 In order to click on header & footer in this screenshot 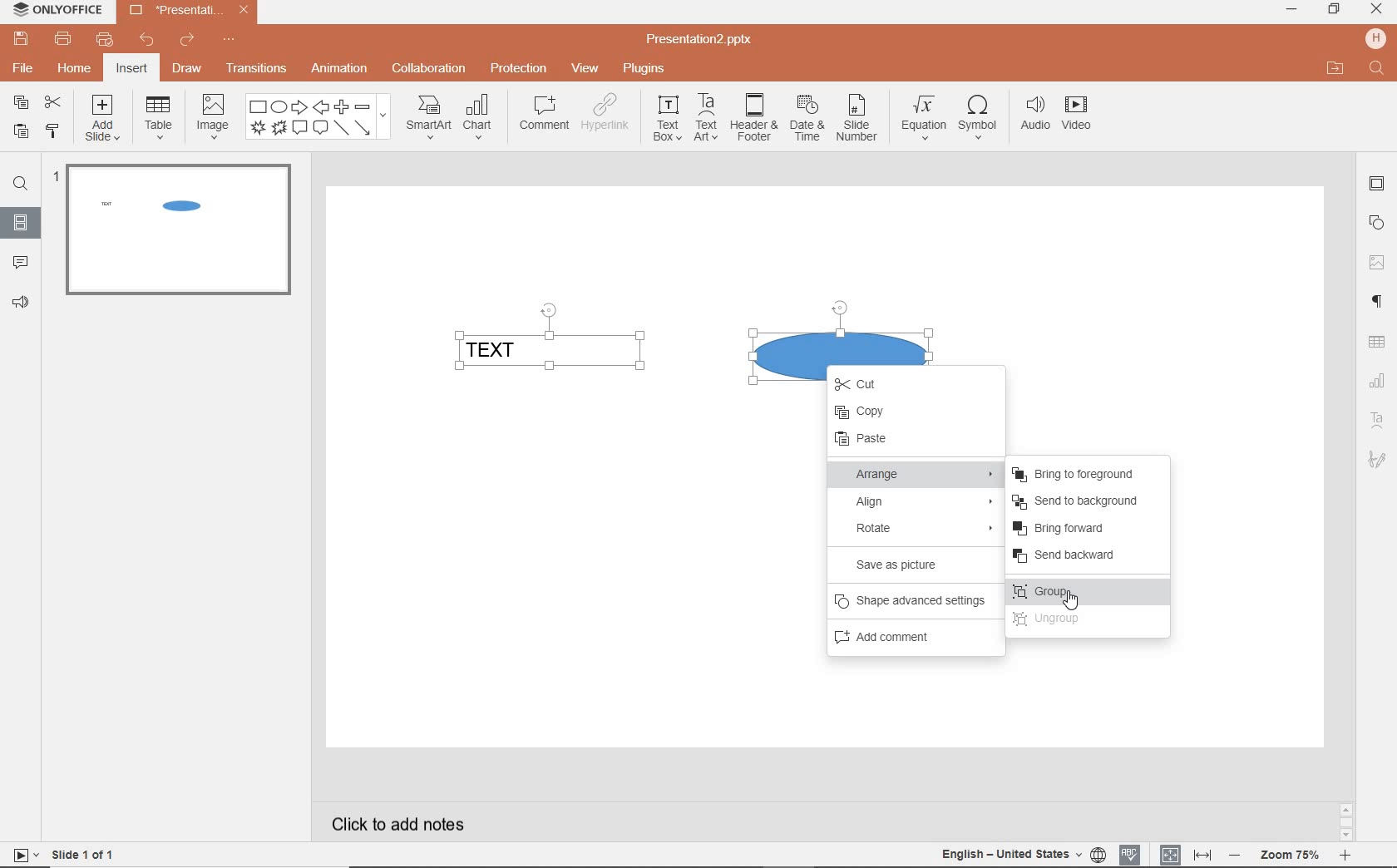, I will do `click(752, 119)`.